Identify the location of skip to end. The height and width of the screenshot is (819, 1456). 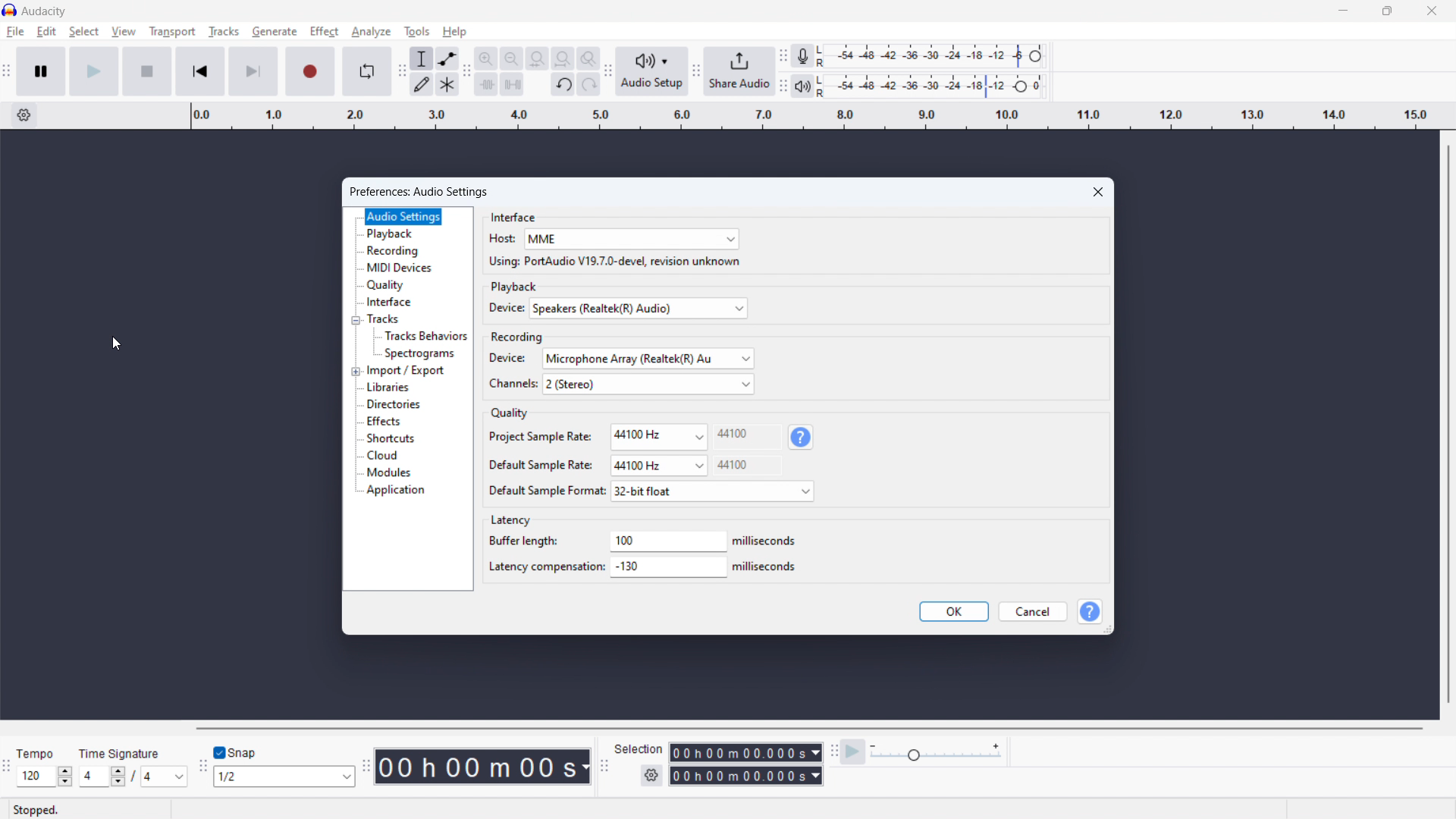
(253, 71).